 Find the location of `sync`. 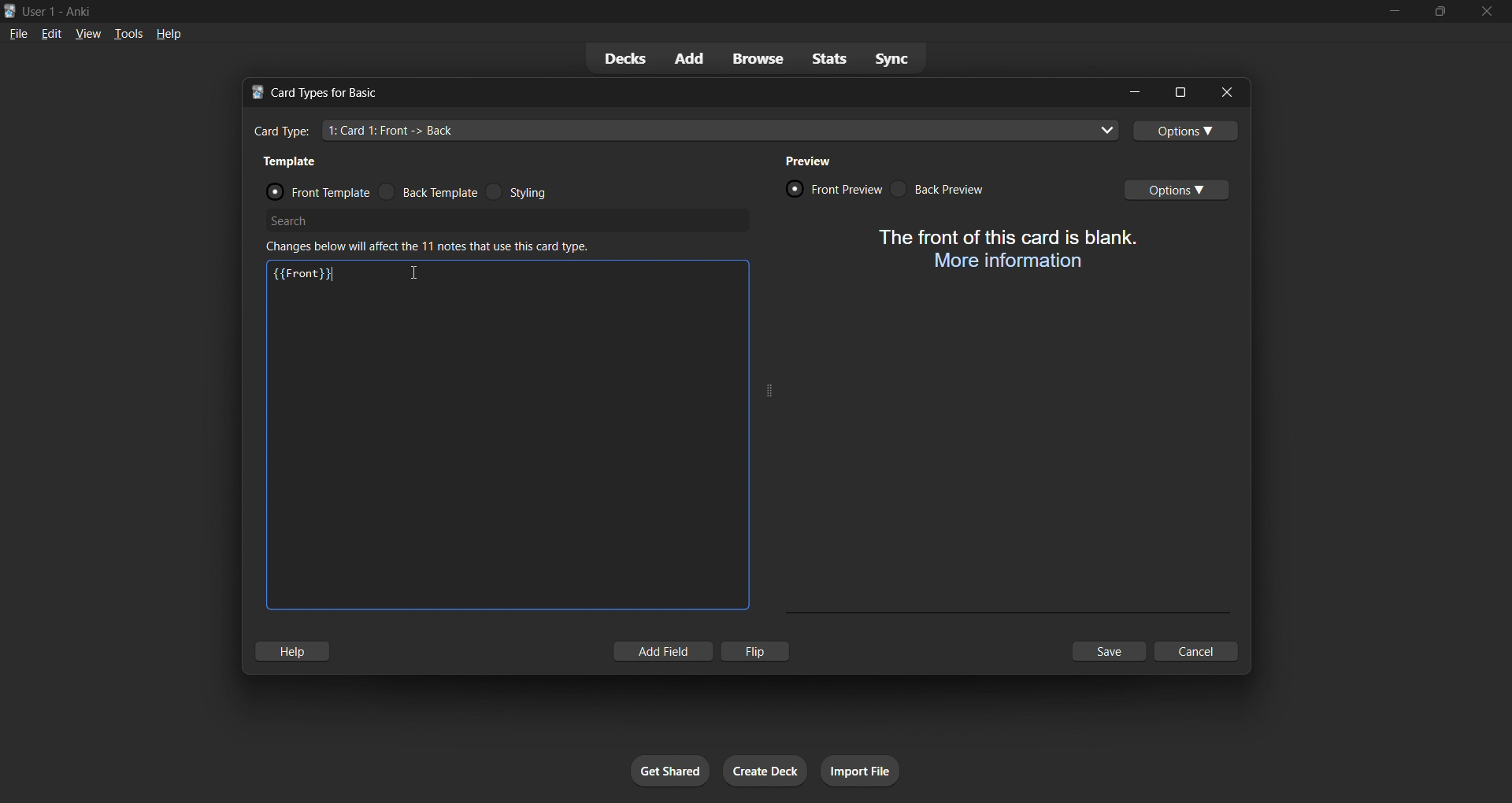

sync is located at coordinates (889, 60).